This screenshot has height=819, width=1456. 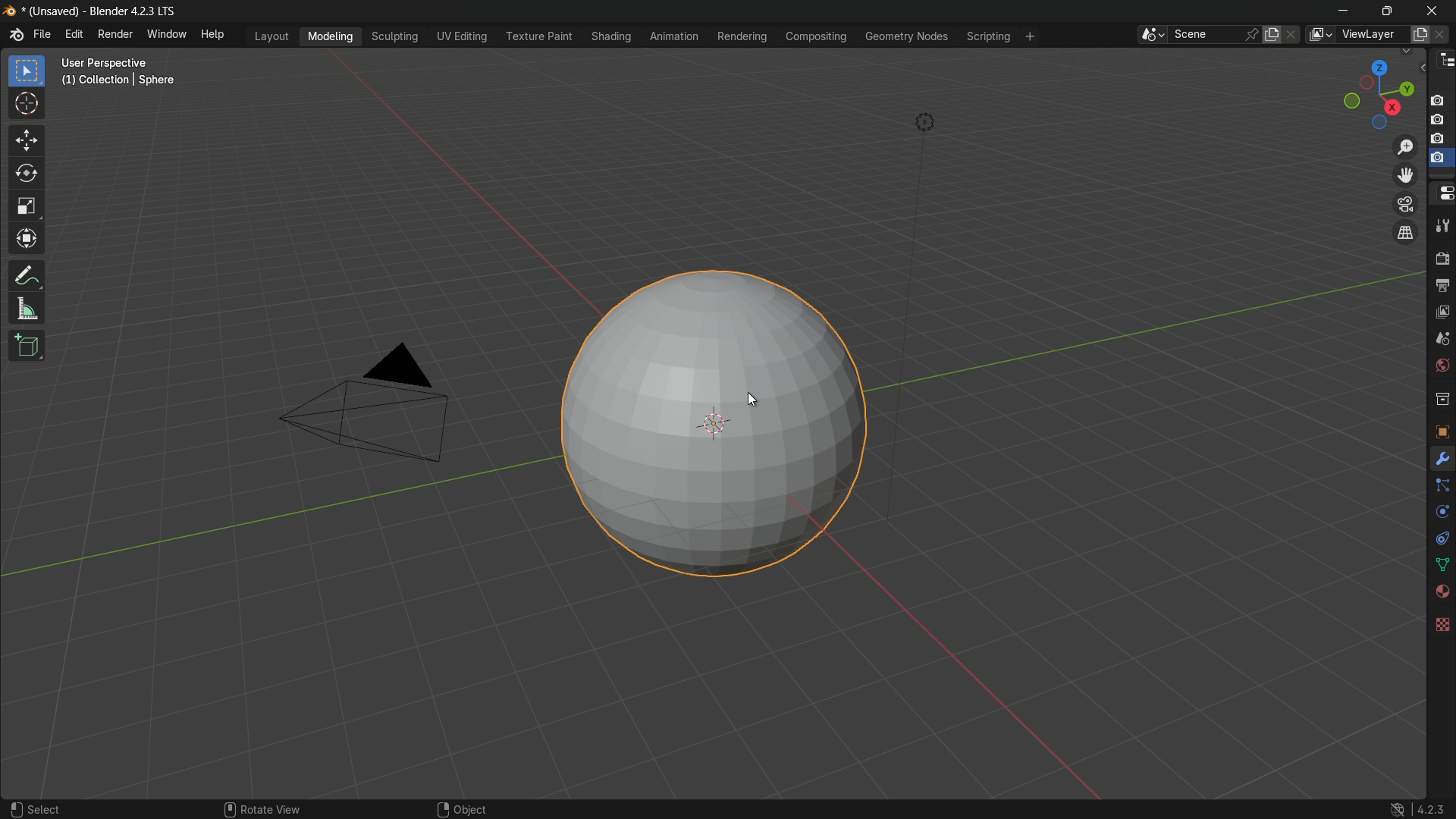 What do you see at coordinates (27, 276) in the screenshot?
I see `annotate` at bounding box center [27, 276].